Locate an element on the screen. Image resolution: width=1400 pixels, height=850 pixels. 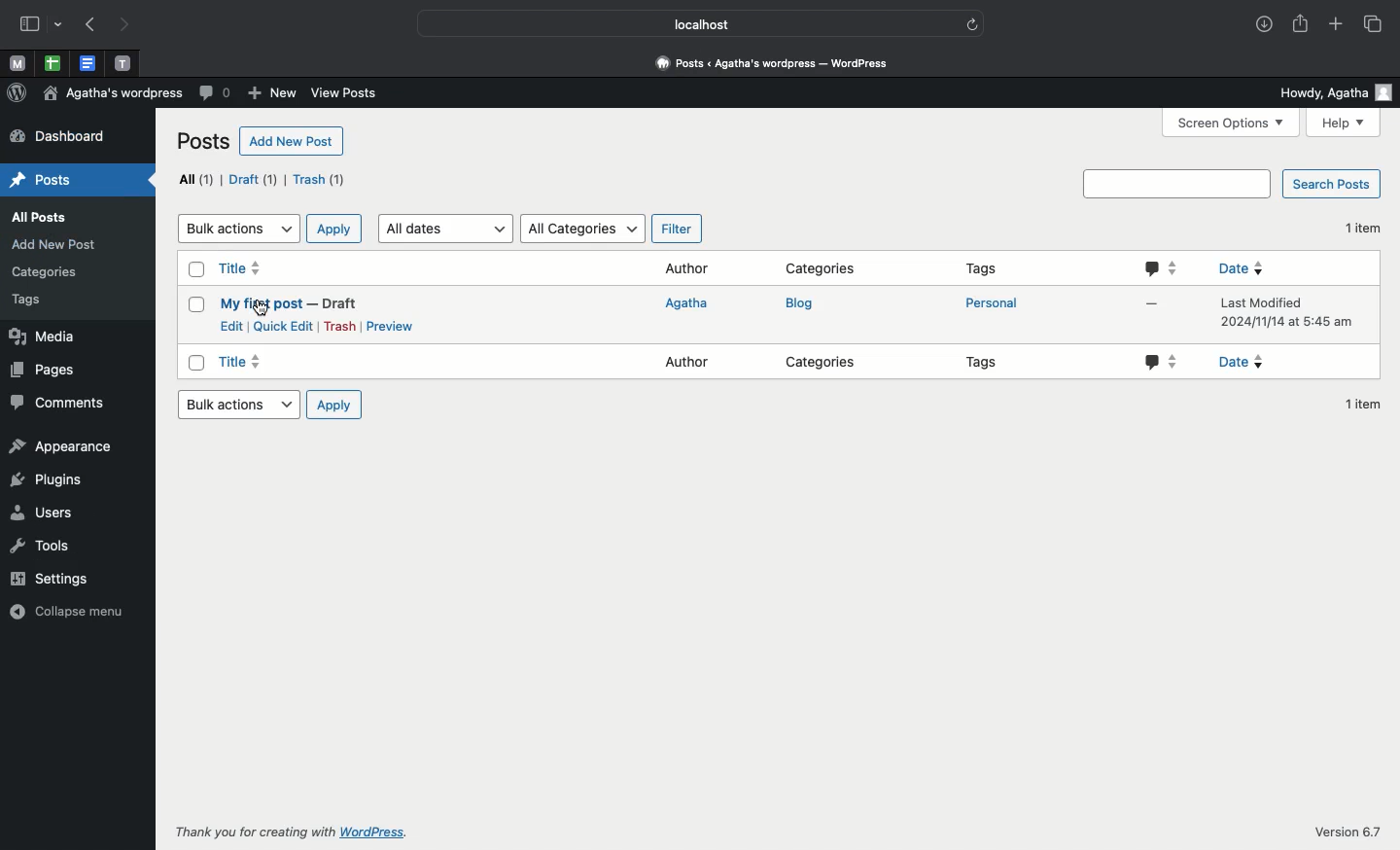
Sidebar is located at coordinates (28, 23).